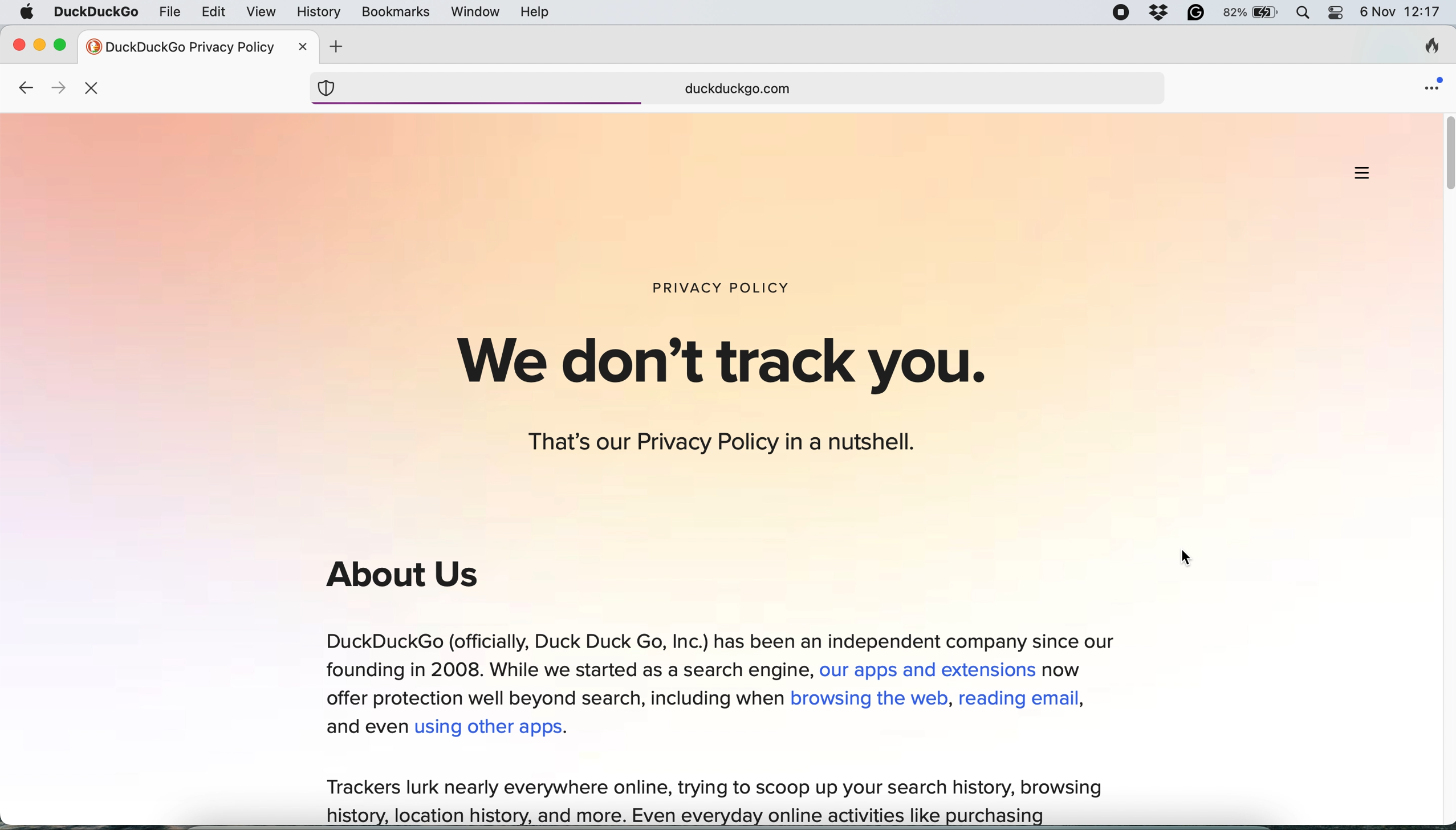 Image resolution: width=1456 pixels, height=830 pixels. Describe the element at coordinates (365, 729) in the screenshot. I see `and even` at that location.